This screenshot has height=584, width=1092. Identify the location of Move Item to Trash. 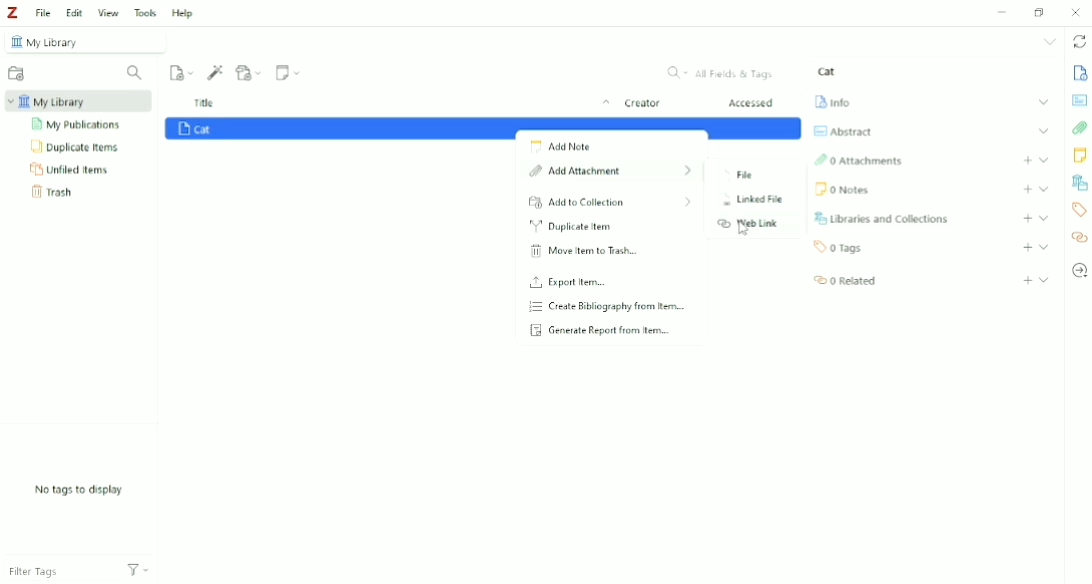
(583, 251).